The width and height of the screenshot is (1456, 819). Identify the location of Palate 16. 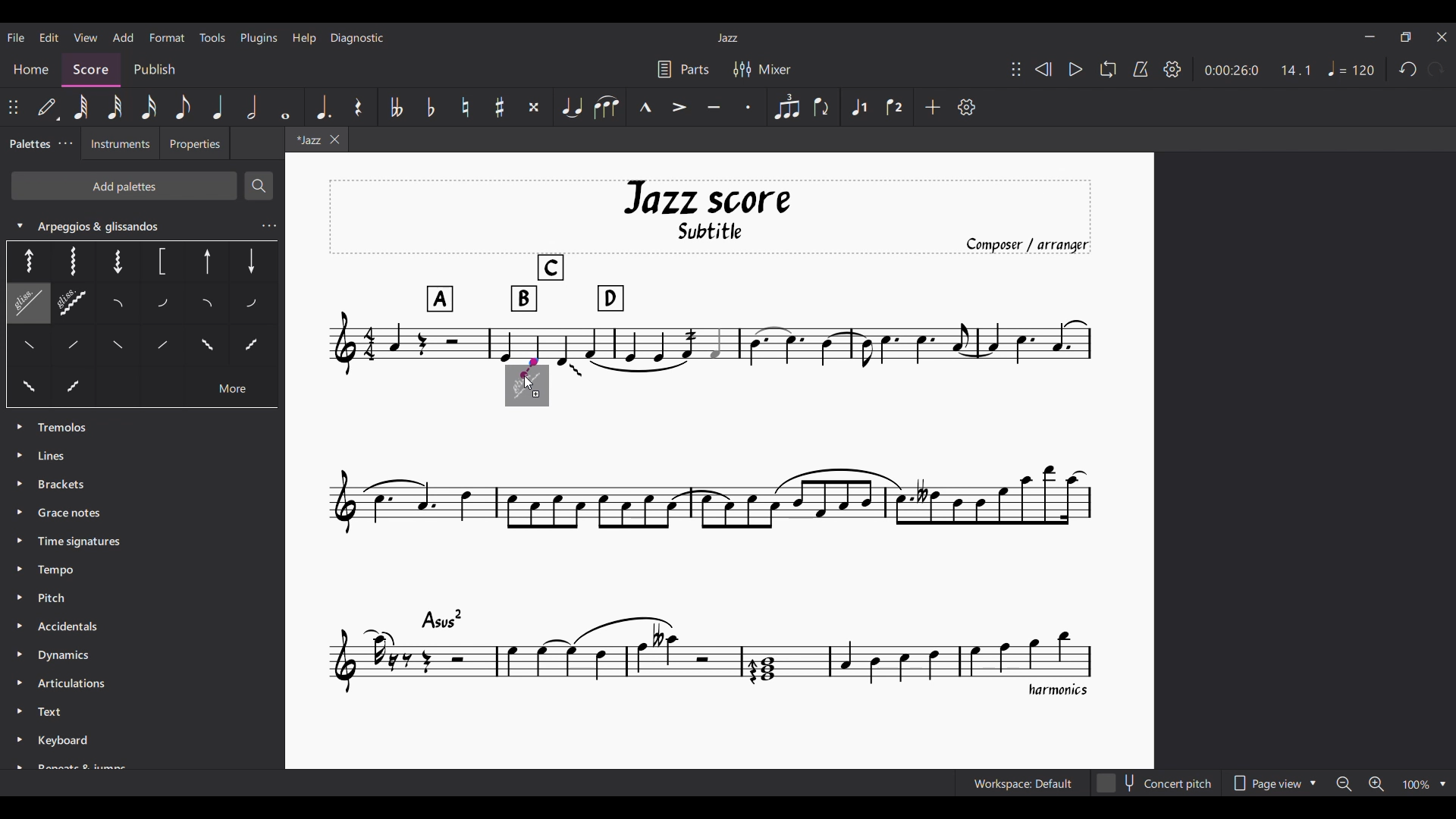
(204, 348).